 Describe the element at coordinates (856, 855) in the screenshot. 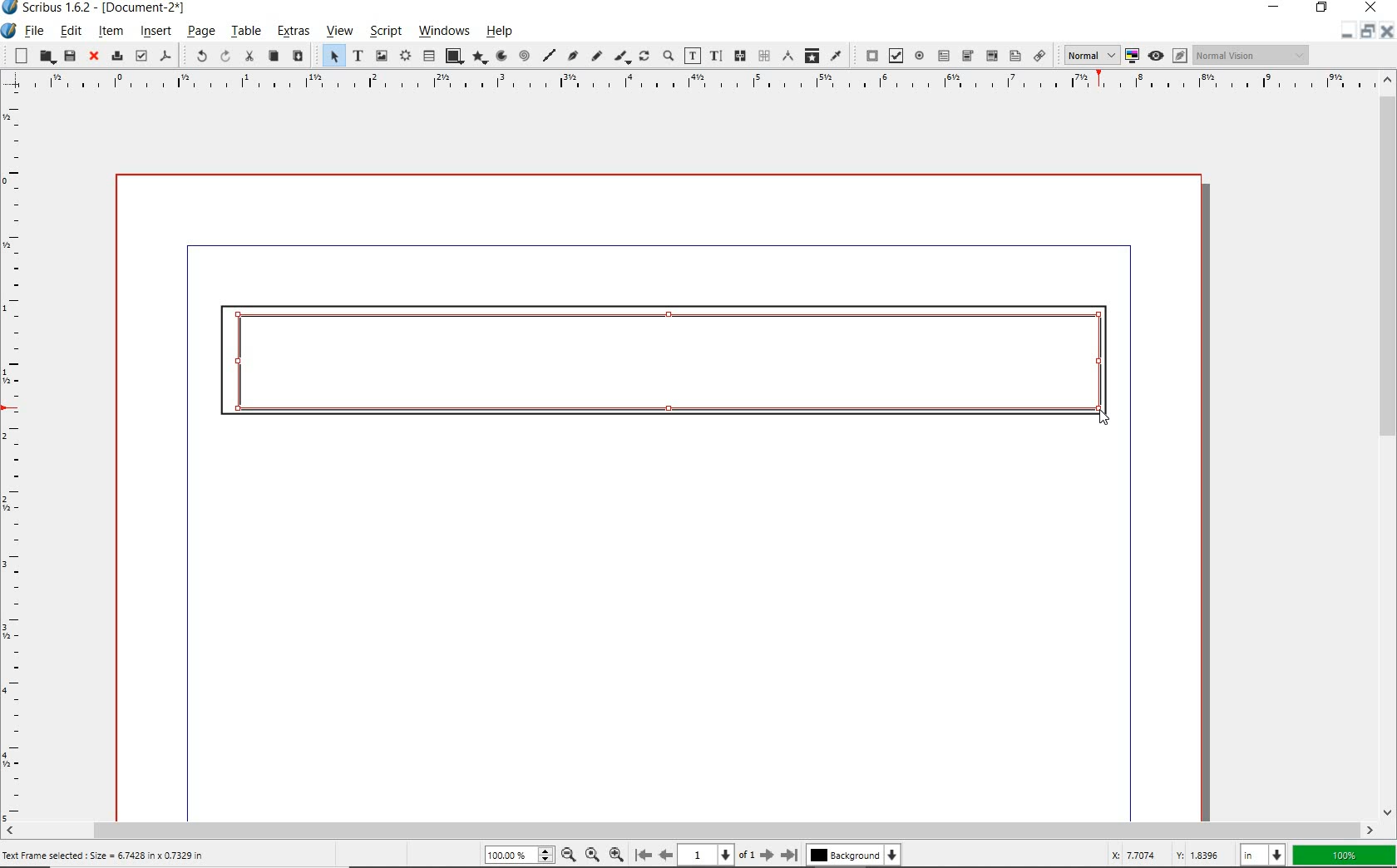

I see `background` at that location.